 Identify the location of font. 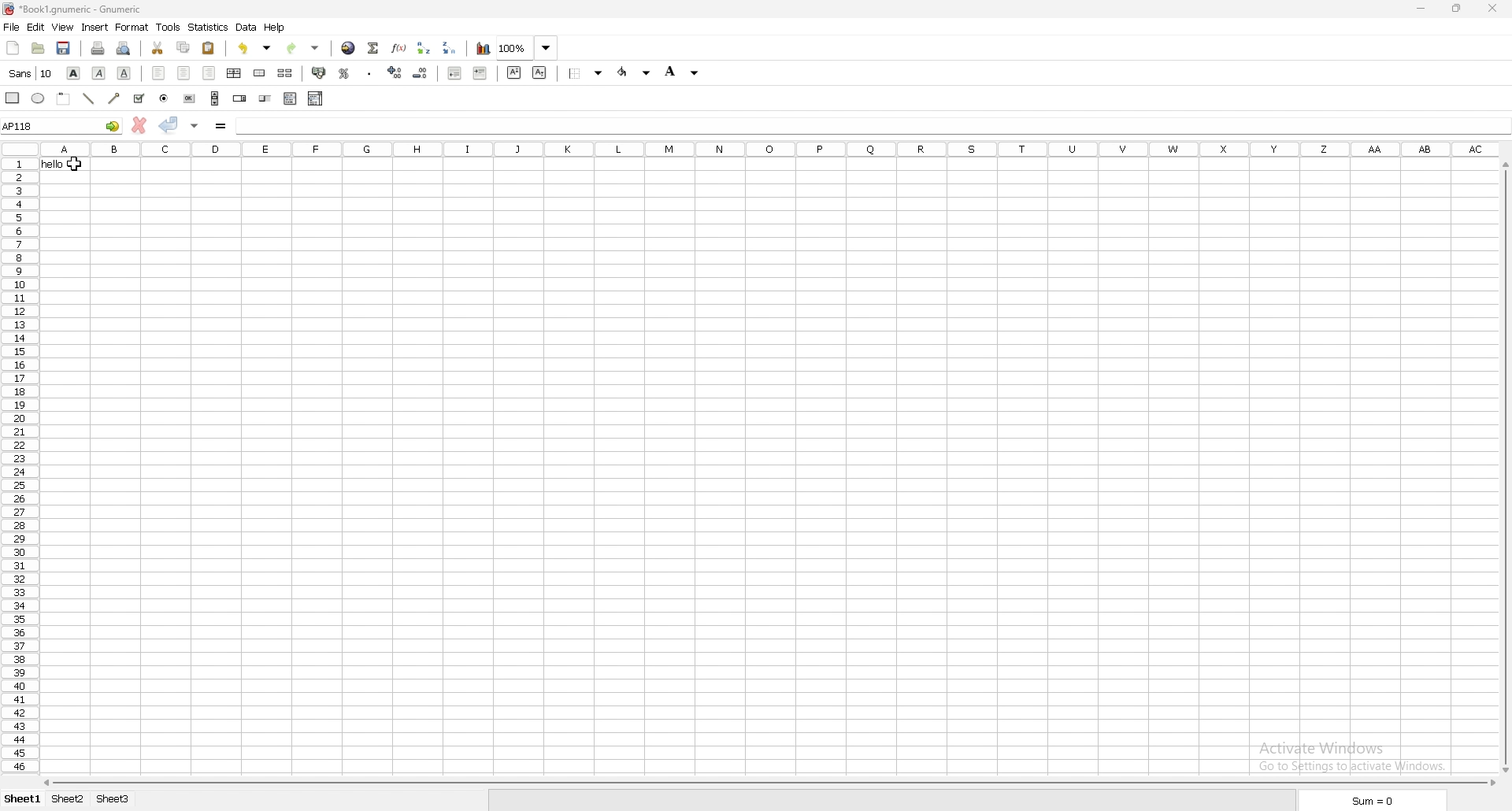
(31, 72).